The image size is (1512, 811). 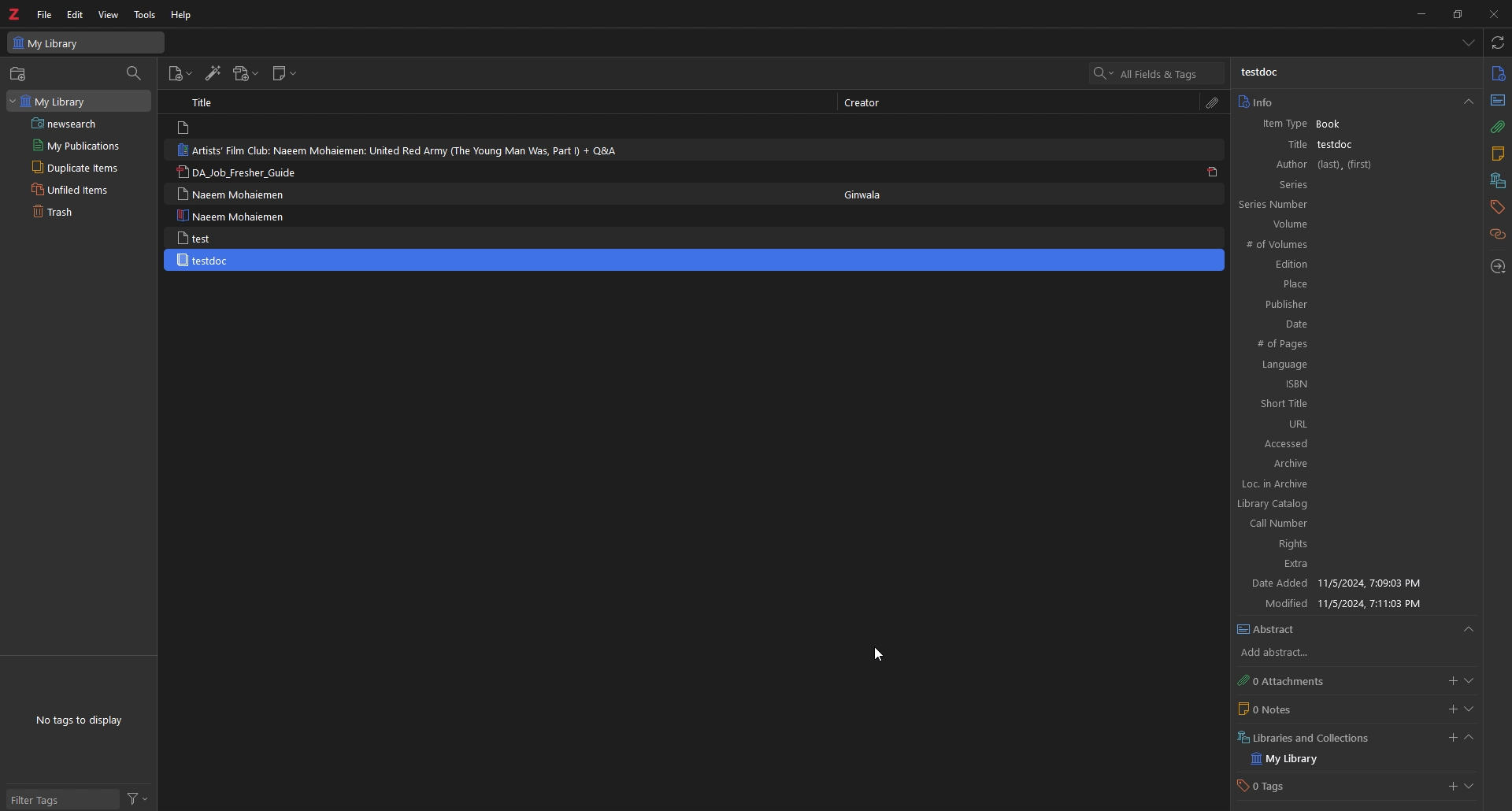 What do you see at coordinates (1472, 788) in the screenshot?
I see `show` at bounding box center [1472, 788].